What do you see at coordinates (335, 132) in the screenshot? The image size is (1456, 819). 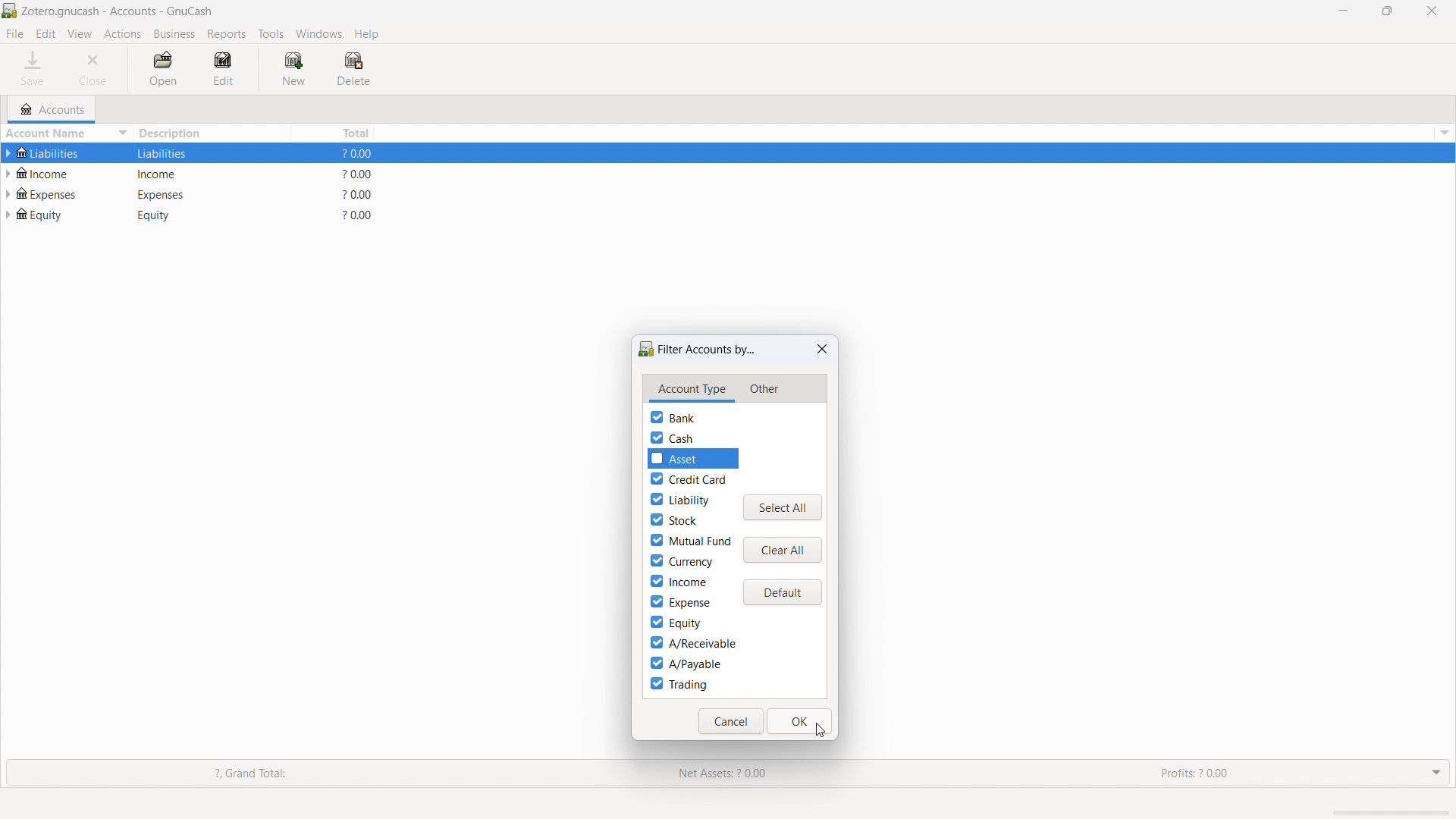 I see `total` at bounding box center [335, 132].